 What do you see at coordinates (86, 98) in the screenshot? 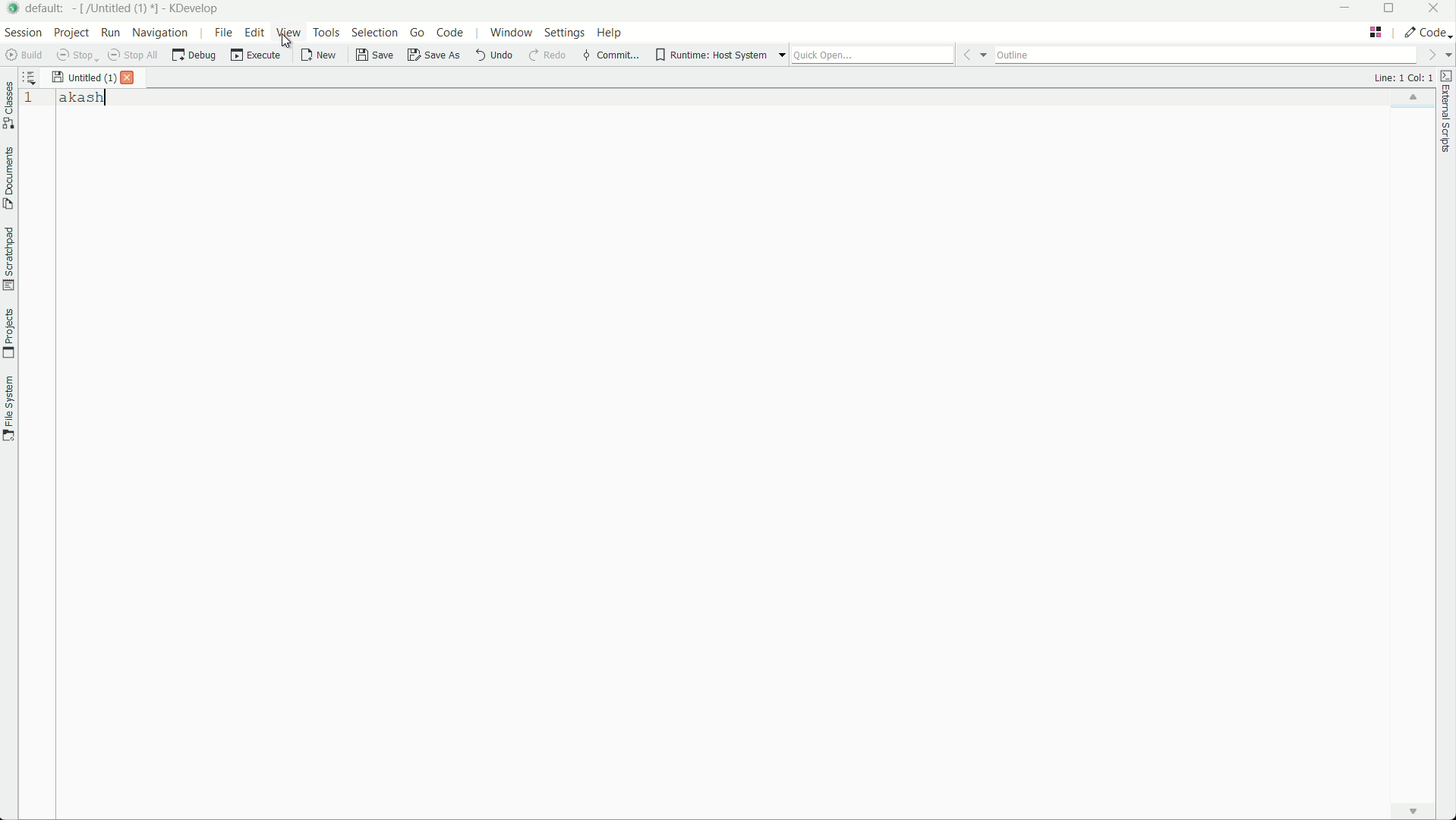
I see `akash` at bounding box center [86, 98].